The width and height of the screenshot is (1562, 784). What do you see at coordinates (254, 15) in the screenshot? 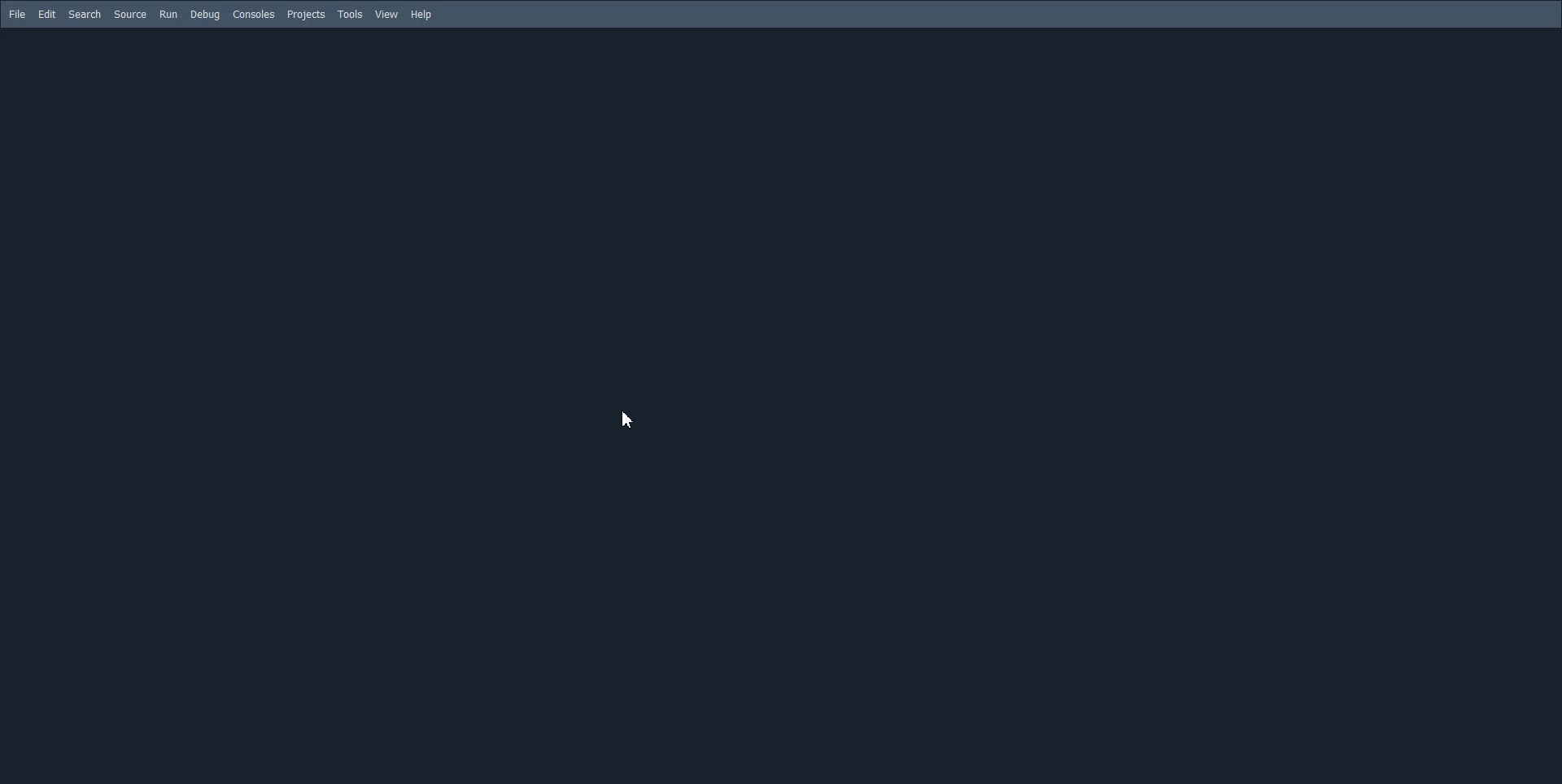
I see `Consoles` at bounding box center [254, 15].